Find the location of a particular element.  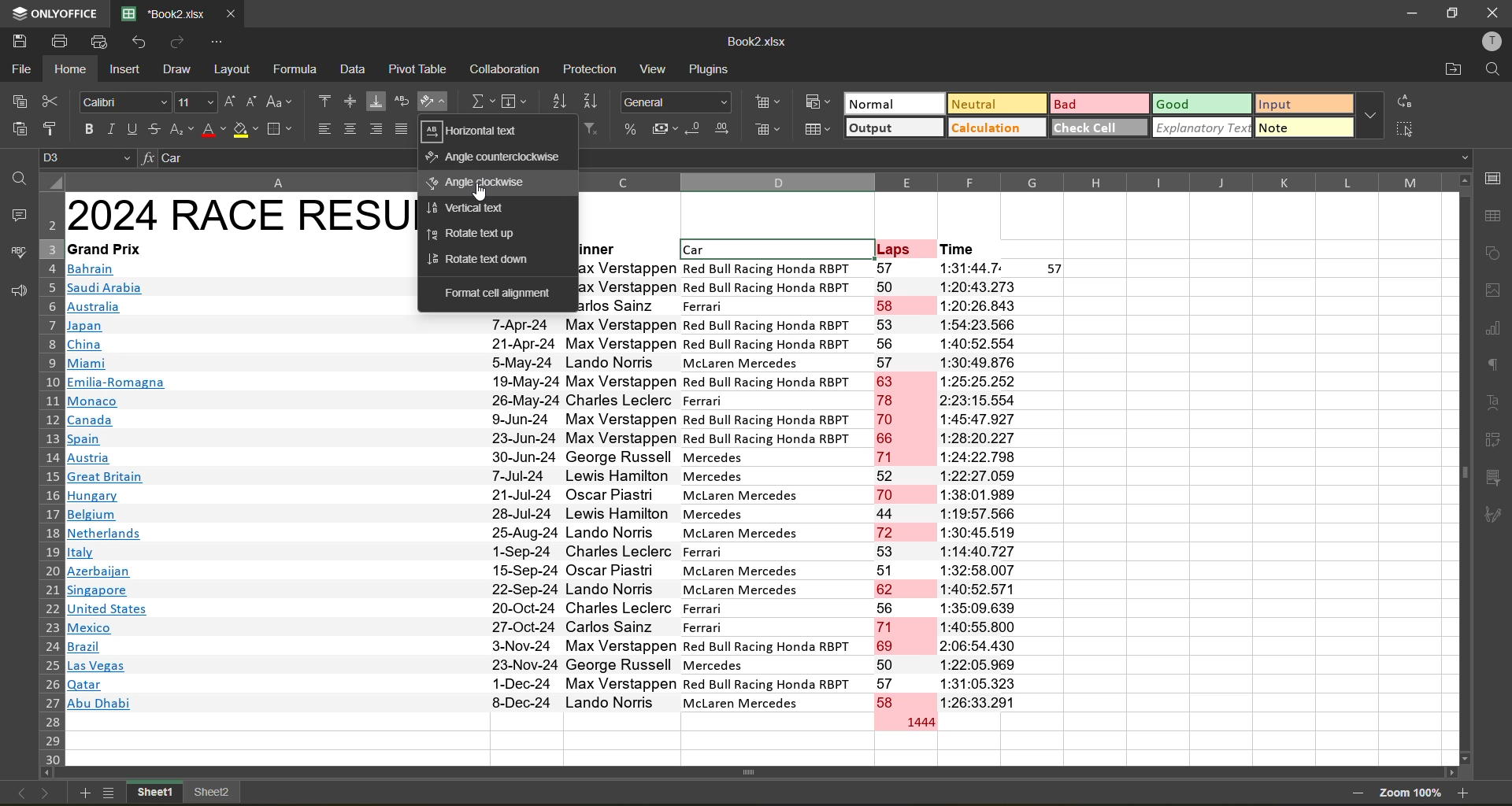

format as table is located at coordinates (818, 130).